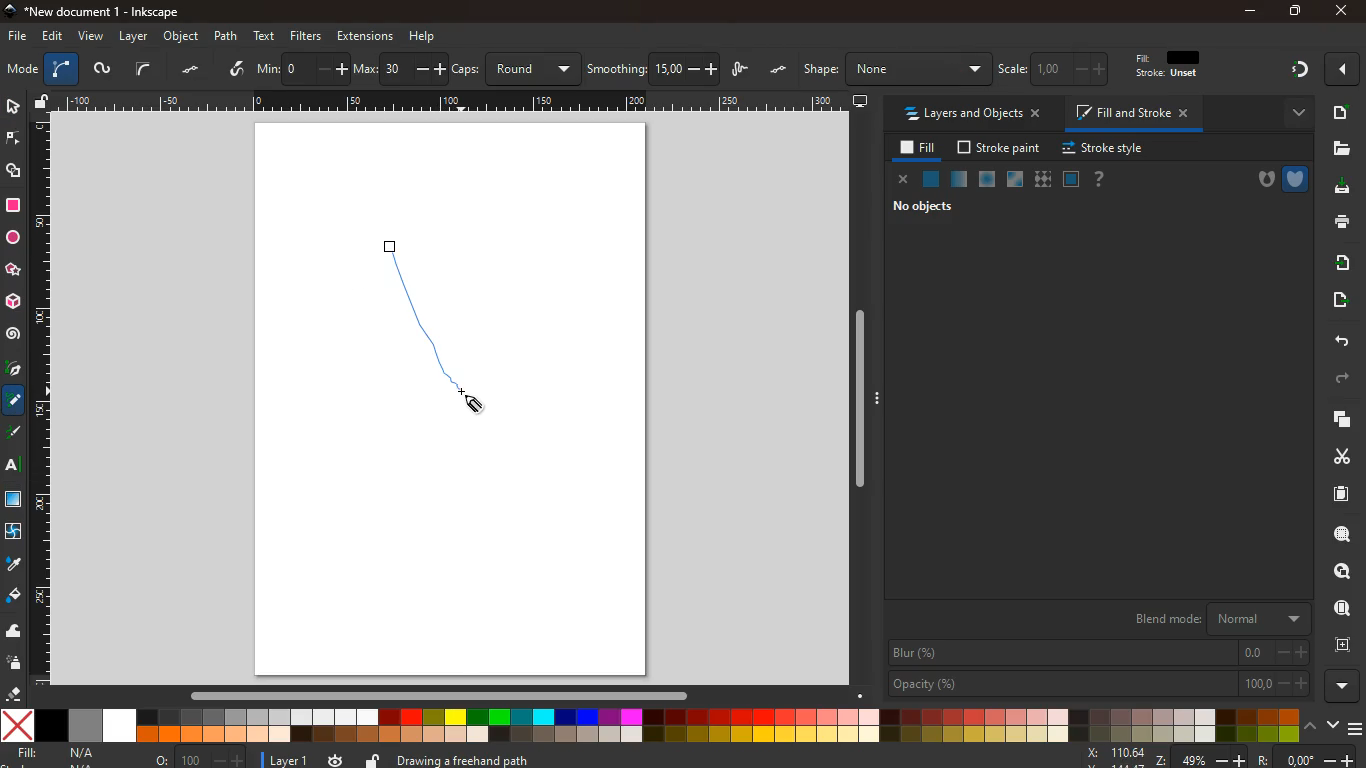 Image resolution: width=1366 pixels, height=768 pixels. I want to click on spiral, so click(13, 334).